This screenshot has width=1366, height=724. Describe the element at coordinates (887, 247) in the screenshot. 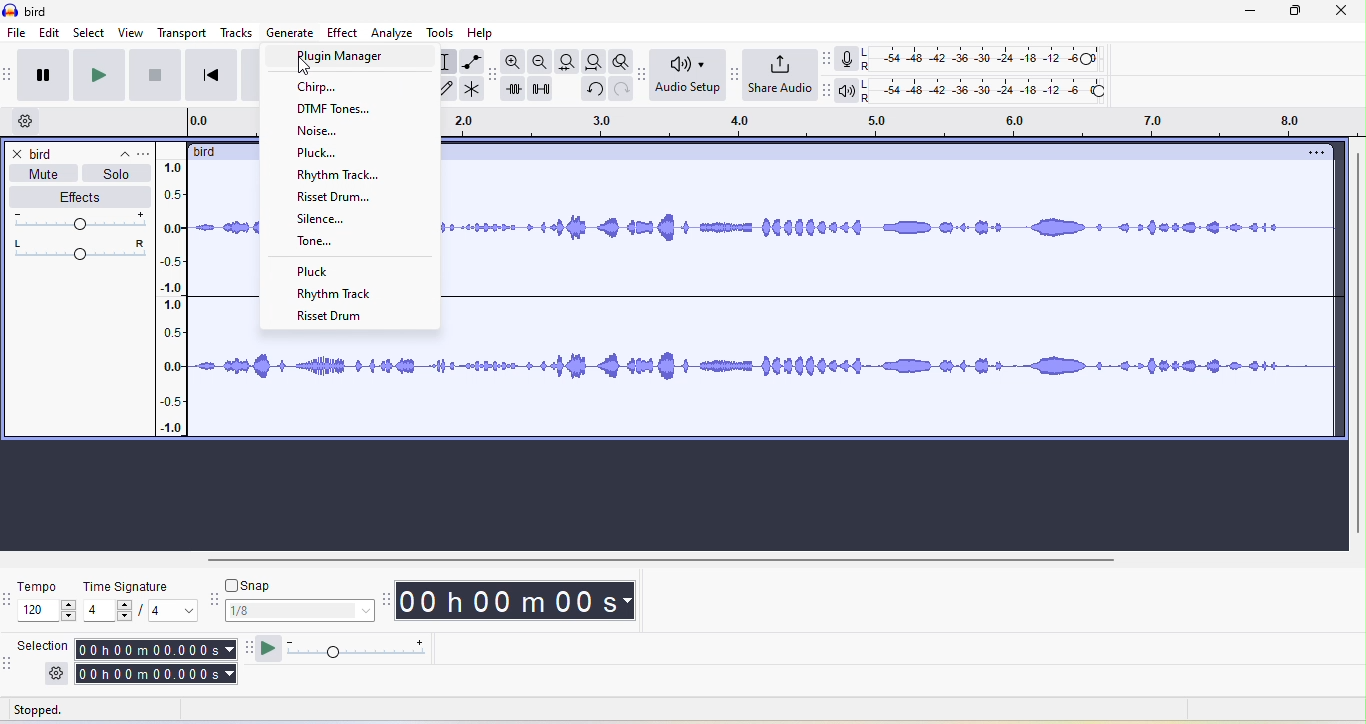

I see `waveform` at that location.